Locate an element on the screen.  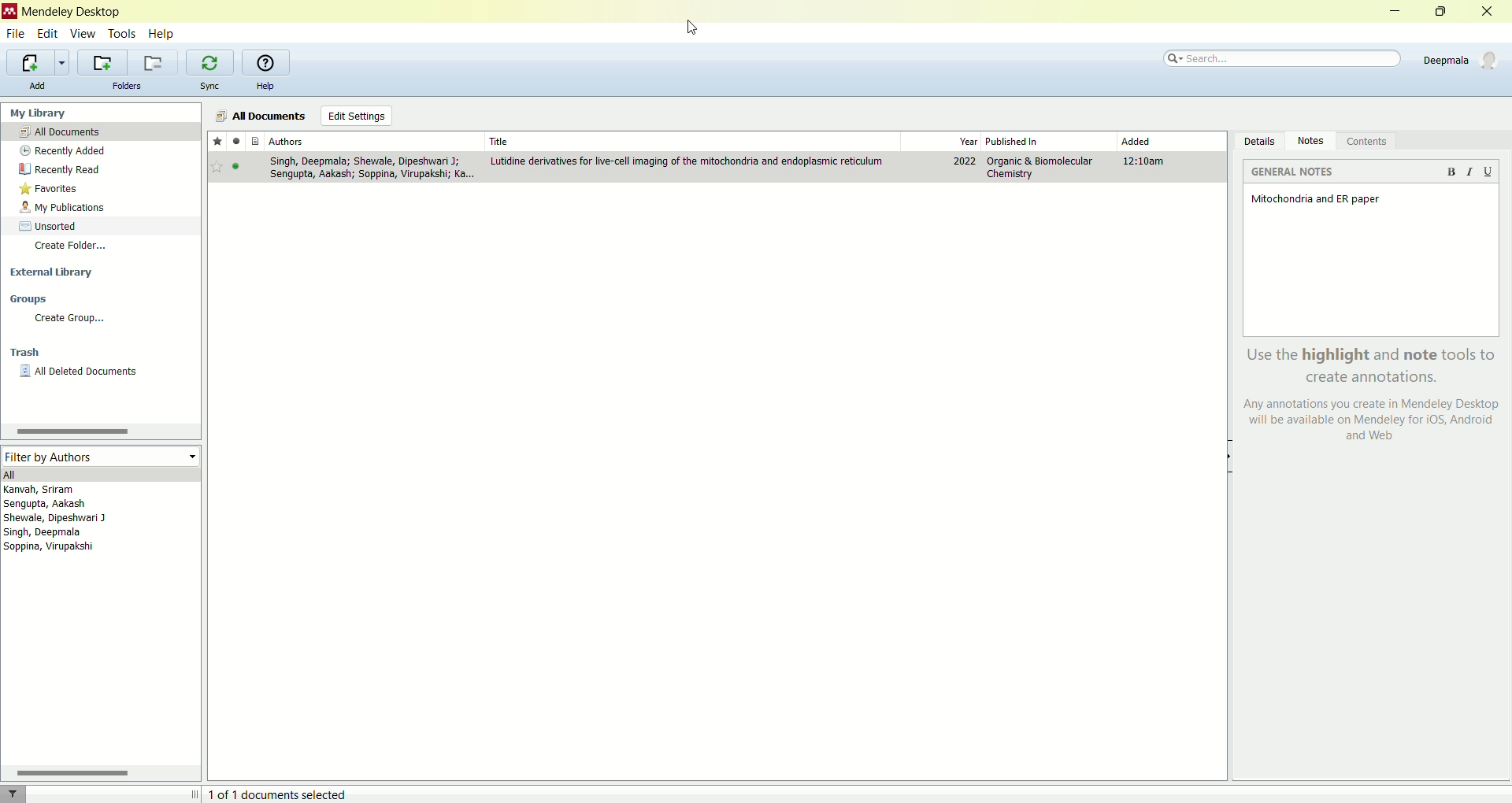
account details is located at coordinates (1459, 58).